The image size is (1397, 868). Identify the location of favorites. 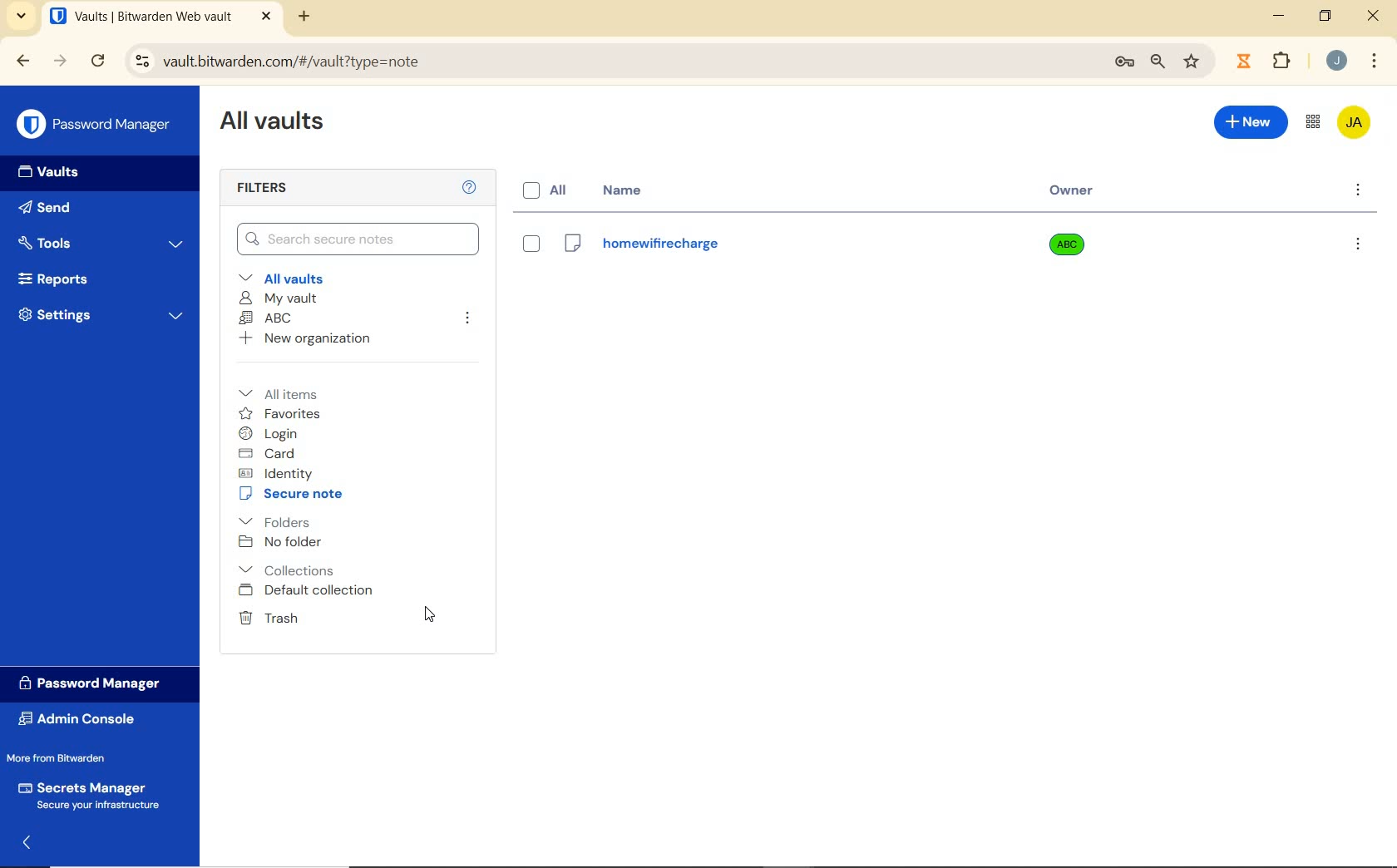
(280, 414).